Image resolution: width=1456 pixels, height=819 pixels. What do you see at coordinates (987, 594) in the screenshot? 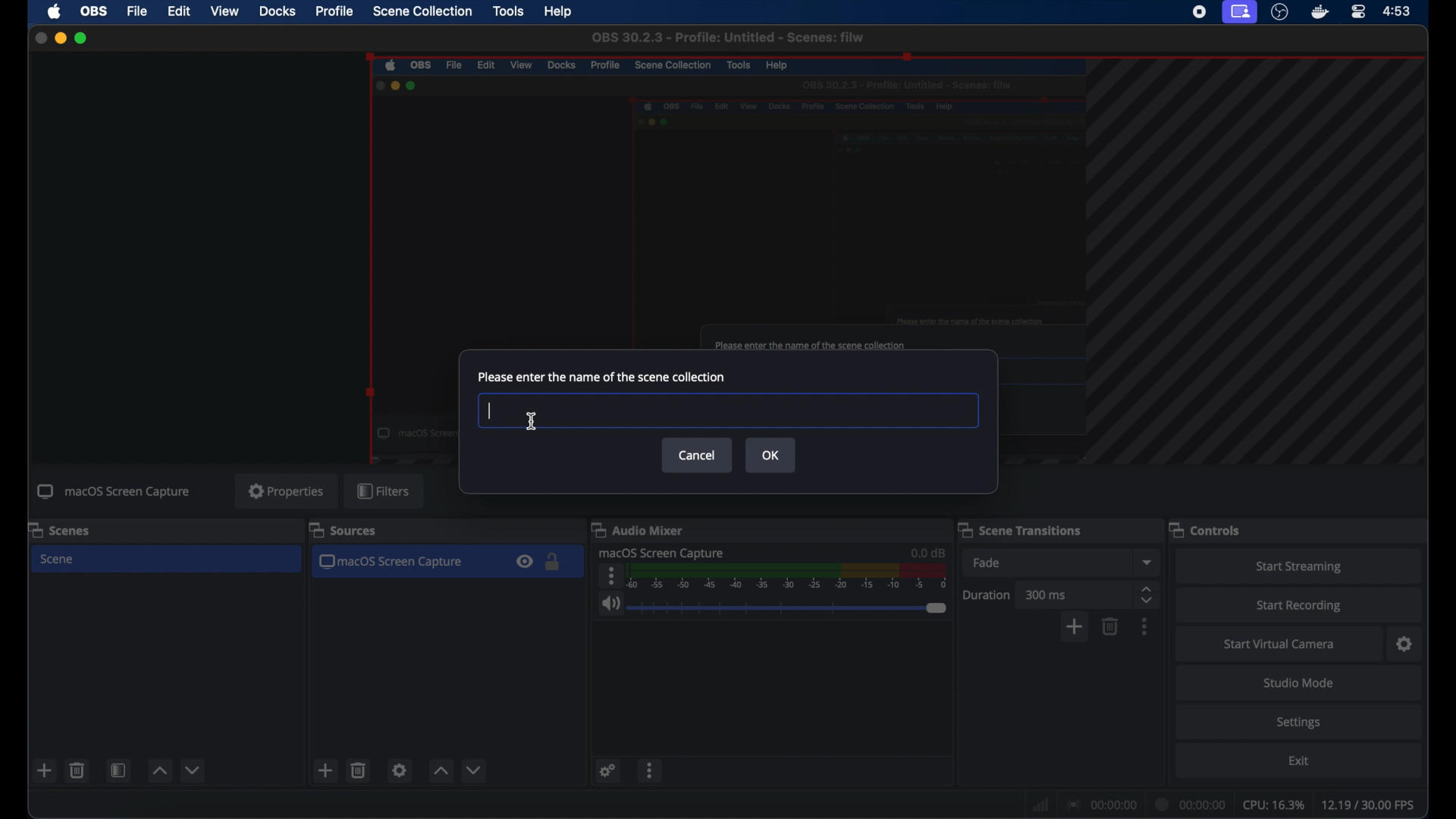
I see `duration` at bounding box center [987, 594].